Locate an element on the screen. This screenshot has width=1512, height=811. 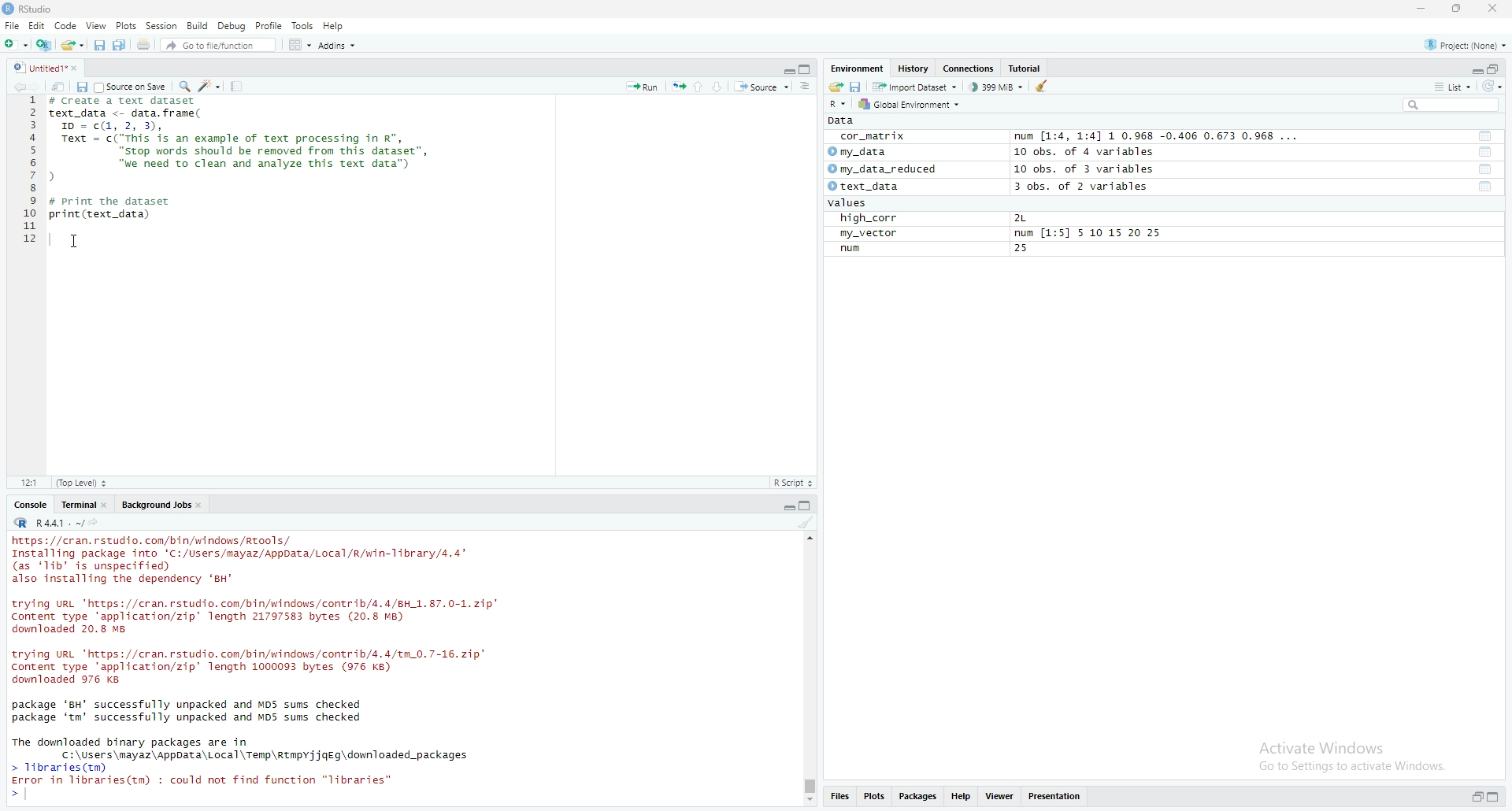
collapse is located at coordinates (1497, 797).